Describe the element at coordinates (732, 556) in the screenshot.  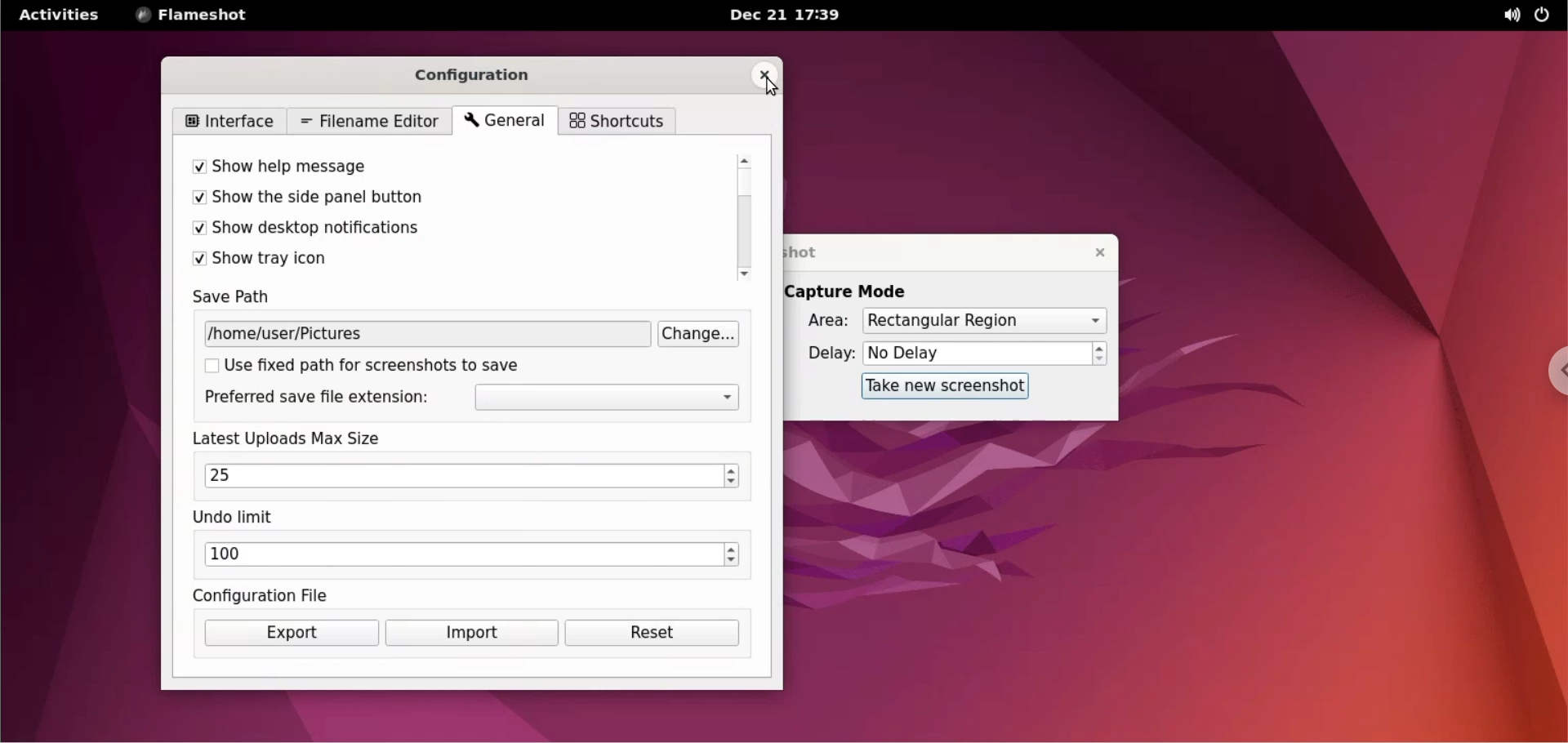
I see `increment or decrement undo limit value` at that location.